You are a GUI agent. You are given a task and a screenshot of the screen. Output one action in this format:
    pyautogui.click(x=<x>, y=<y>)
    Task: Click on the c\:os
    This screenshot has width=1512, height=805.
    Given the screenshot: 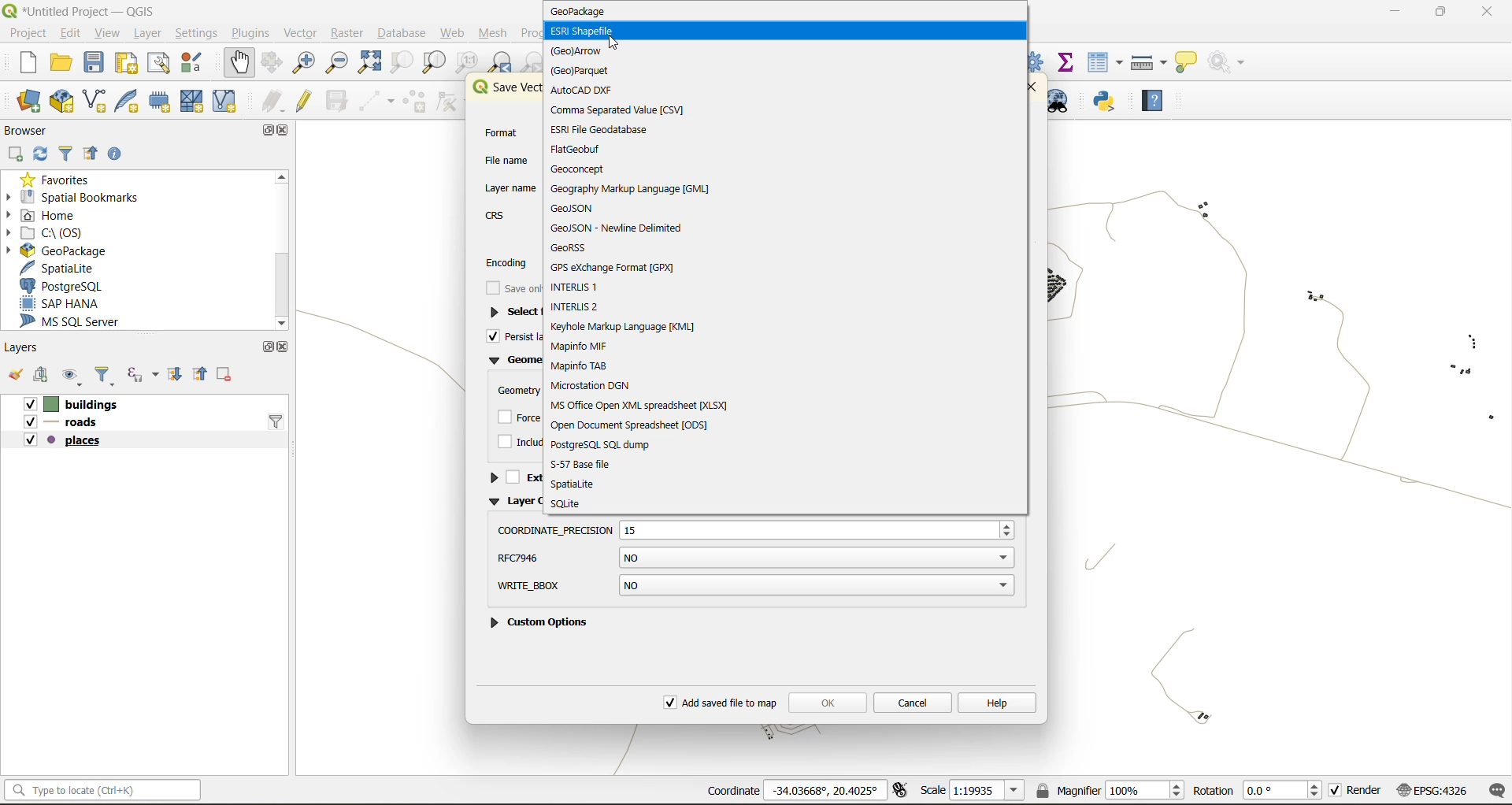 What is the action you would take?
    pyautogui.click(x=62, y=232)
    